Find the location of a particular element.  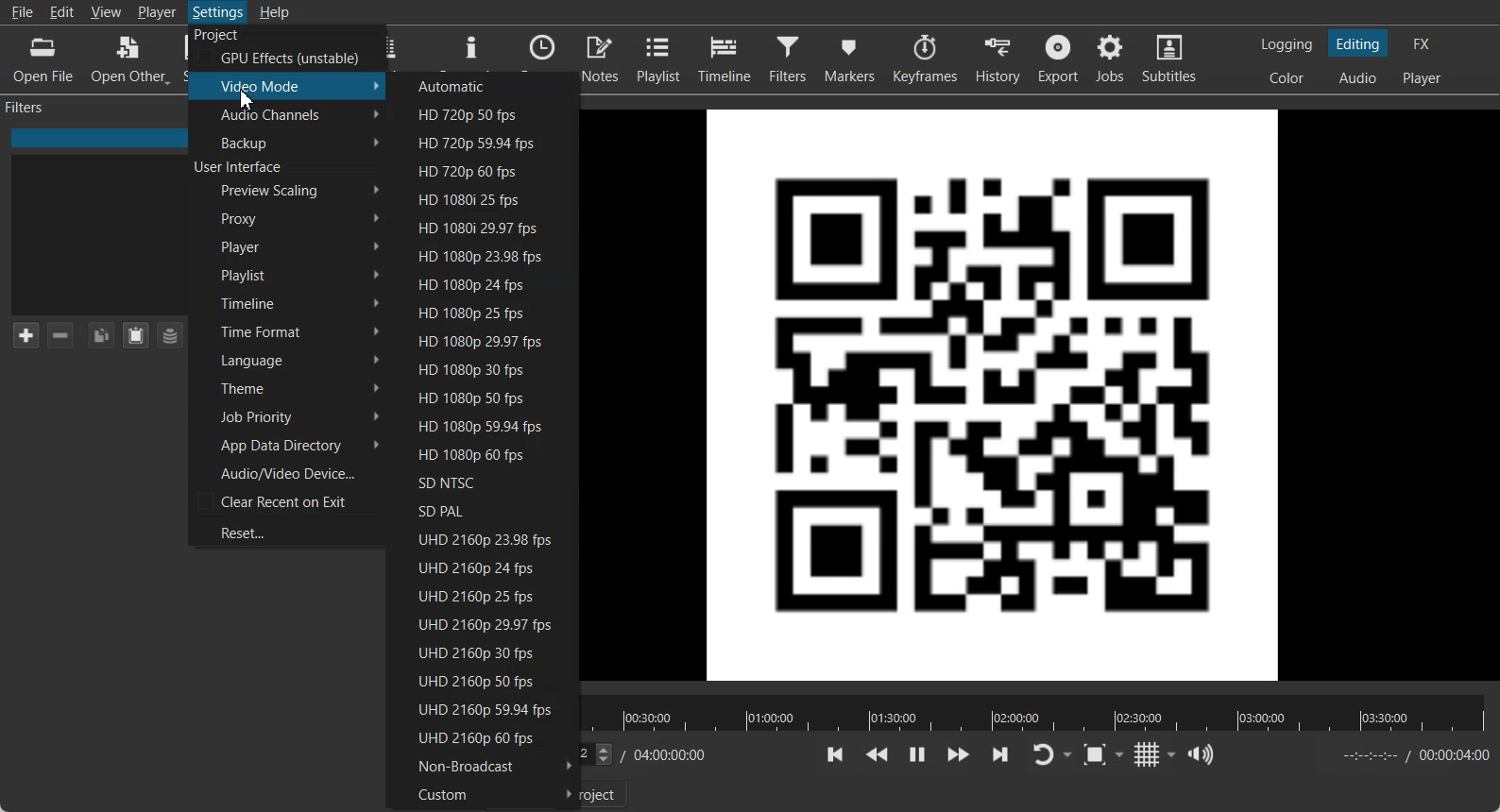

Text is located at coordinates (240, 168).